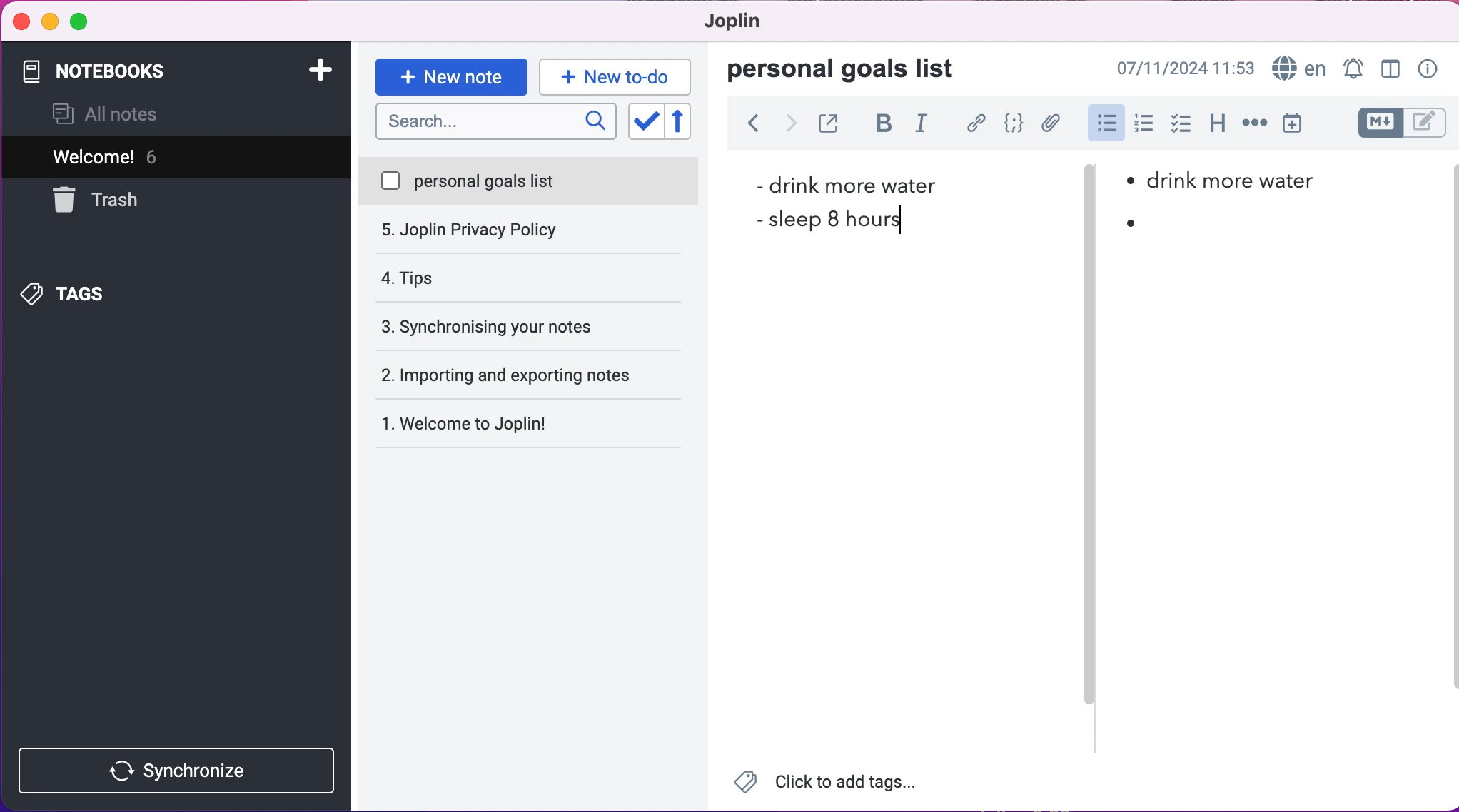 Image resolution: width=1459 pixels, height=812 pixels. Describe the element at coordinates (834, 783) in the screenshot. I see `Click to add tags...` at that location.